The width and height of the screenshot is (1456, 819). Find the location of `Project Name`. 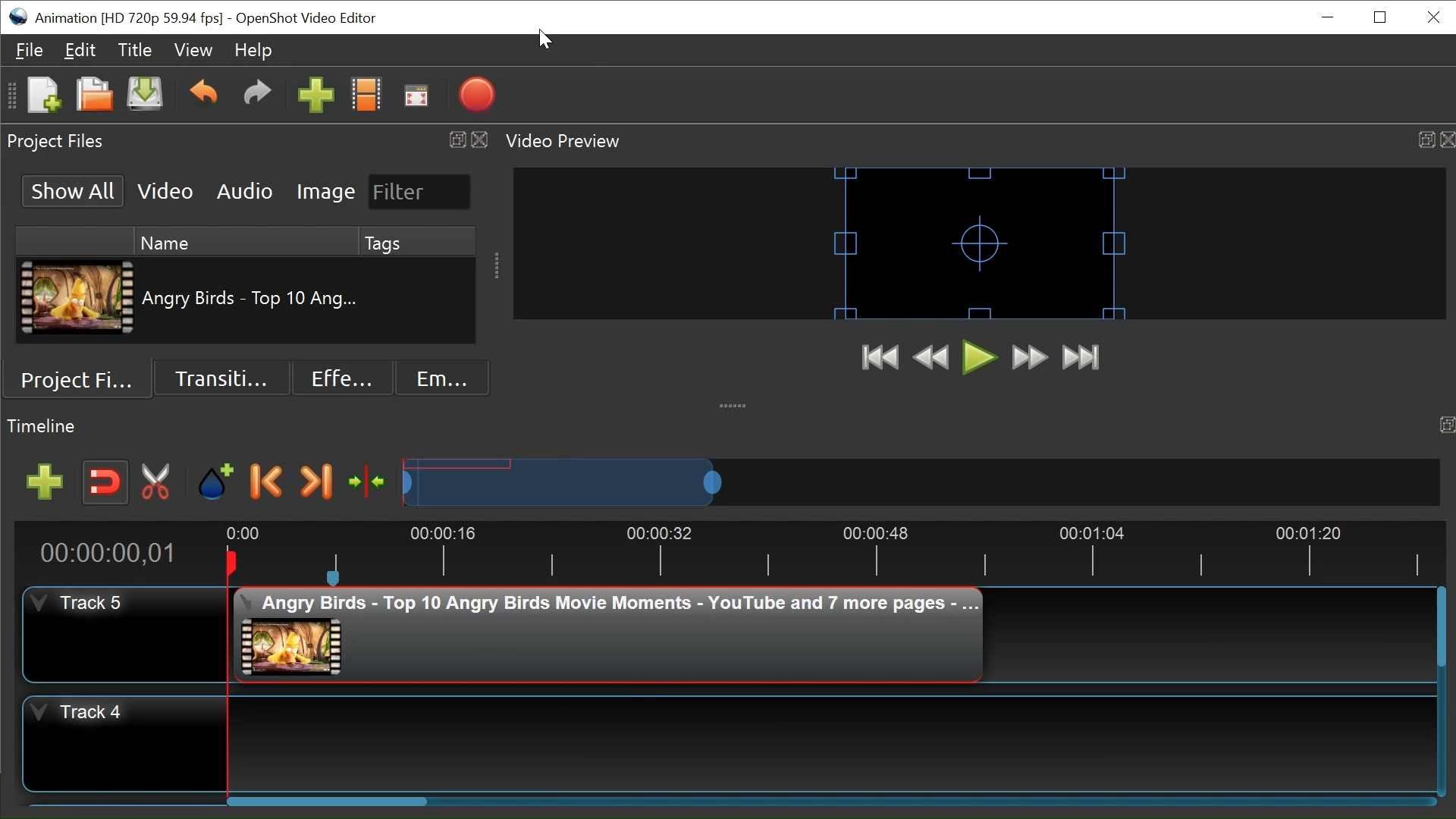

Project Name is located at coordinates (129, 20).